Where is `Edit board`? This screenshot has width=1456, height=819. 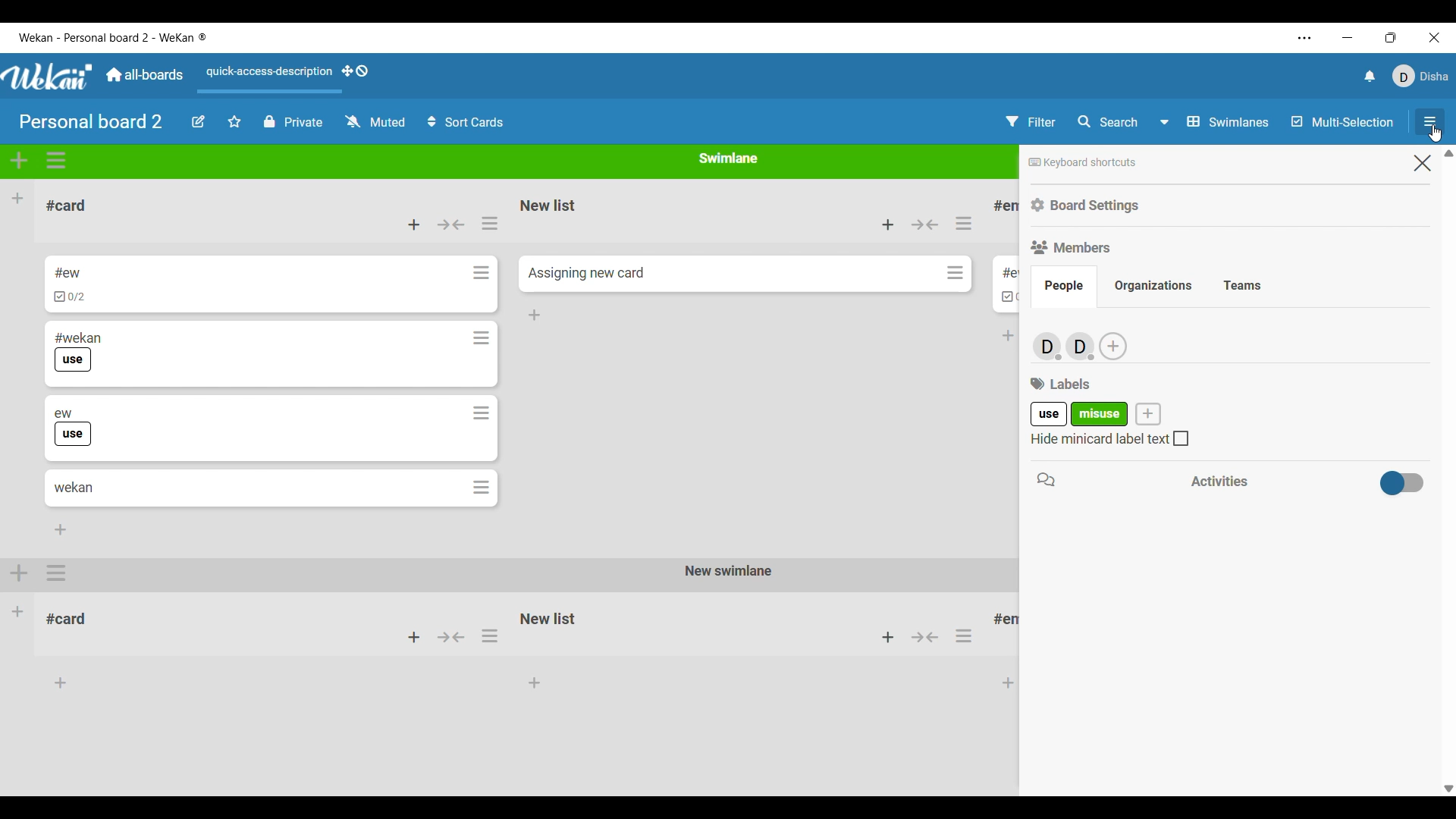
Edit board is located at coordinates (198, 121).